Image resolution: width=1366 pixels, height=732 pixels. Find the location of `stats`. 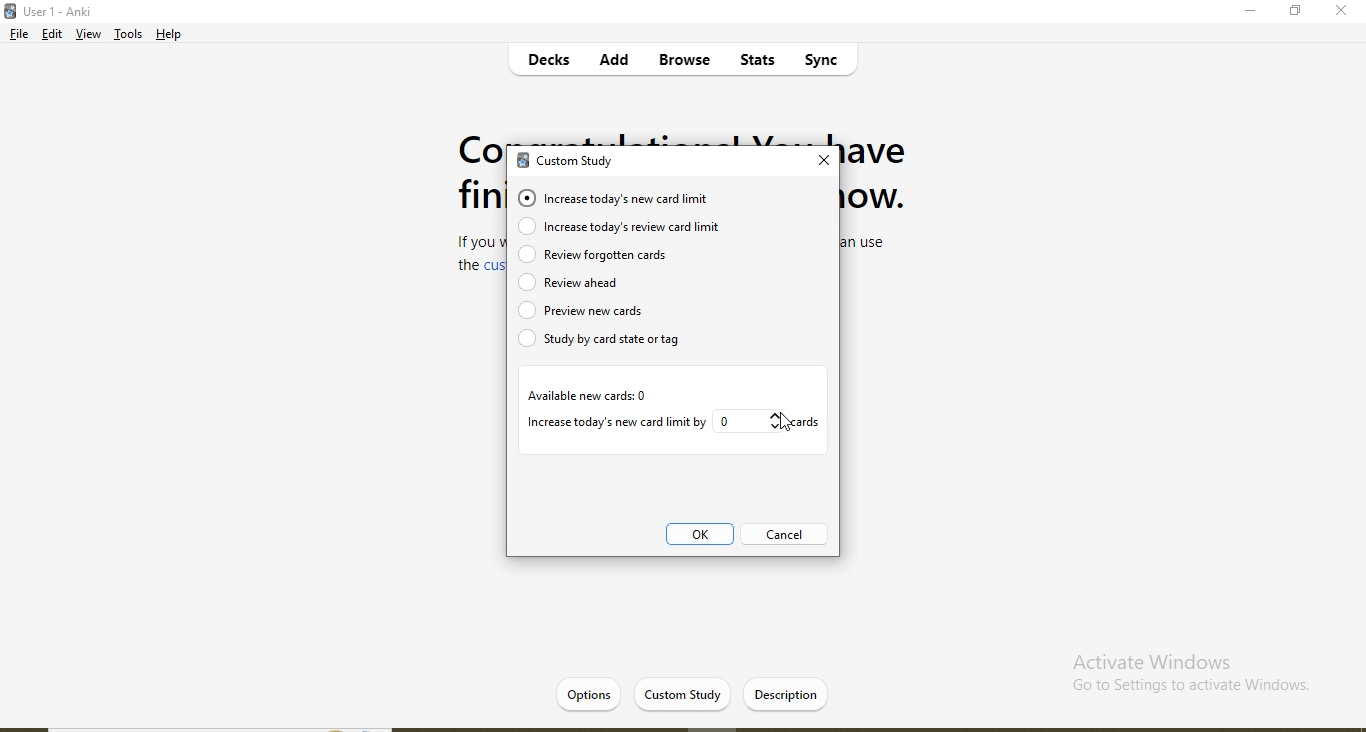

stats is located at coordinates (754, 63).